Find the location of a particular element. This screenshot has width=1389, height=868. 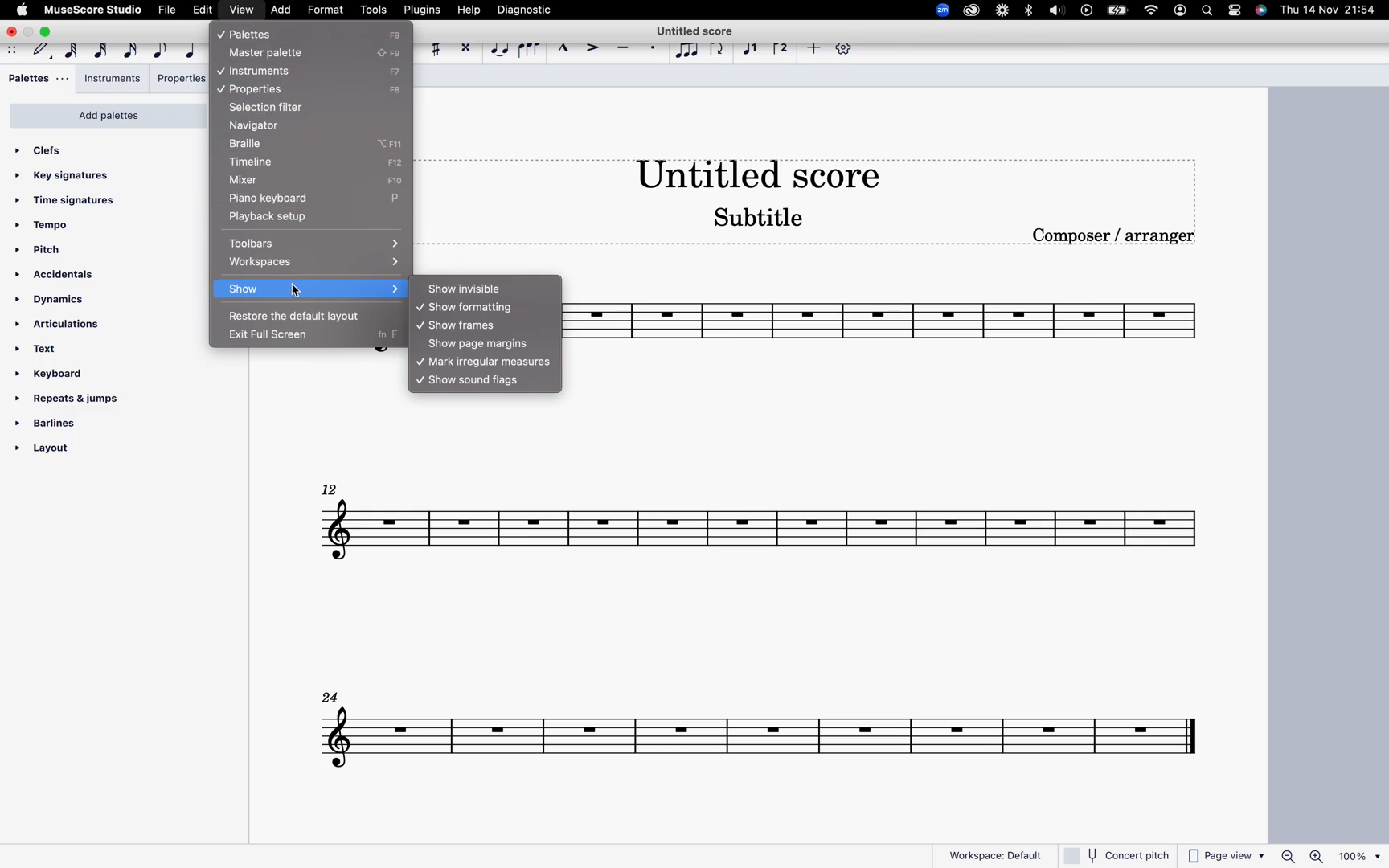

pallets is located at coordinates (38, 78).